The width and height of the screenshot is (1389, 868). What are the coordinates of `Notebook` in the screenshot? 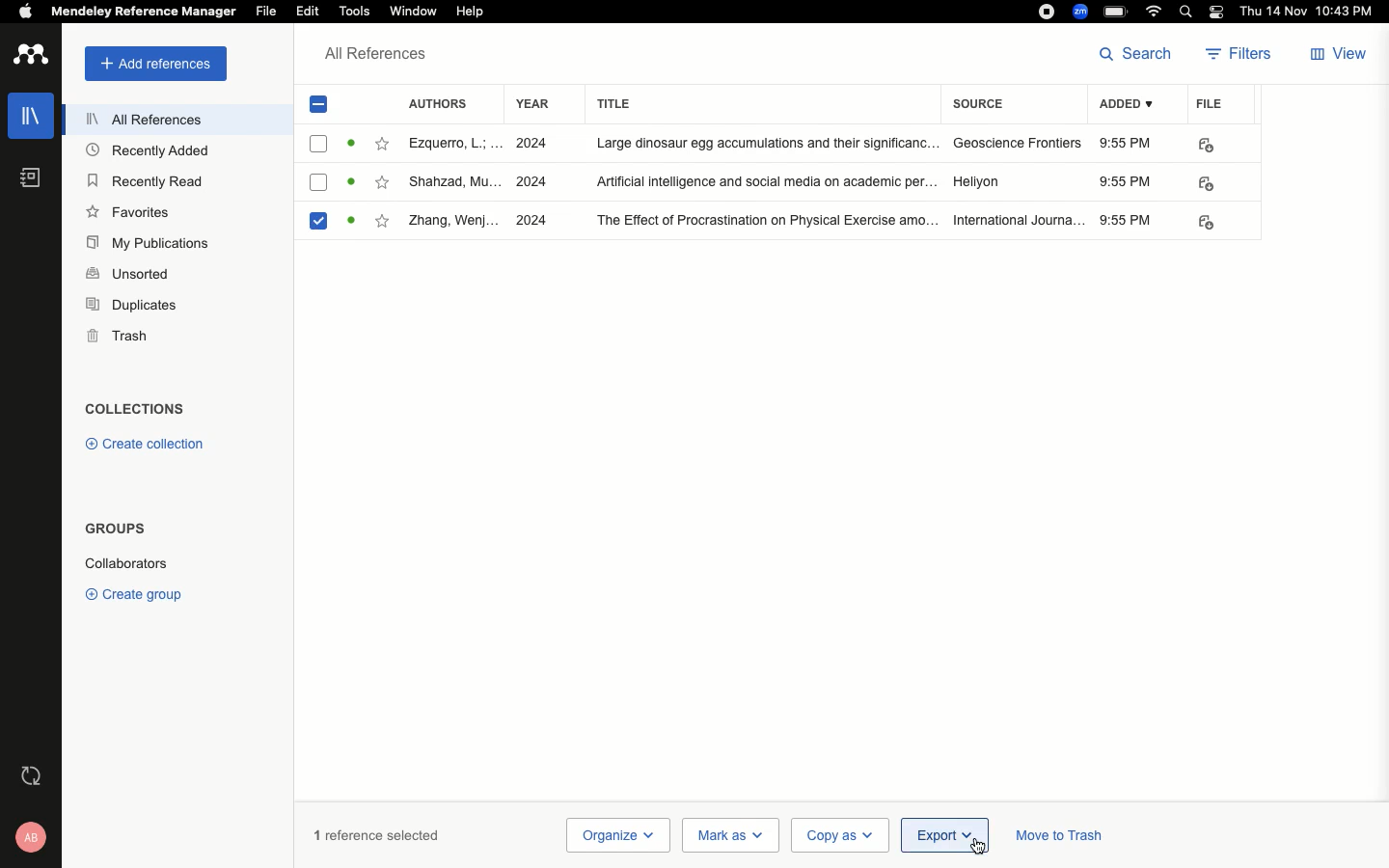 It's located at (29, 177).